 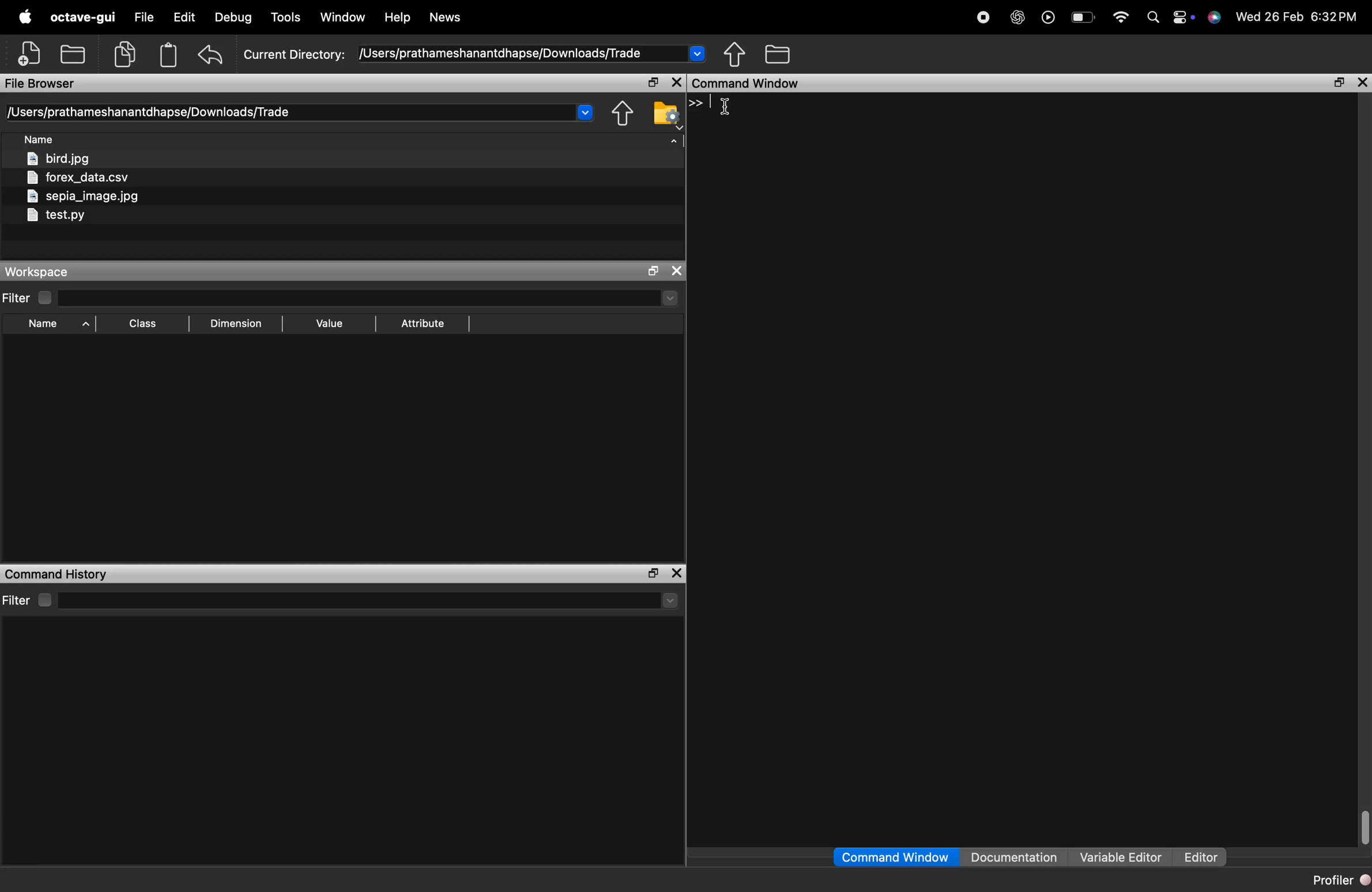 I want to click on window, so click(x=344, y=18).